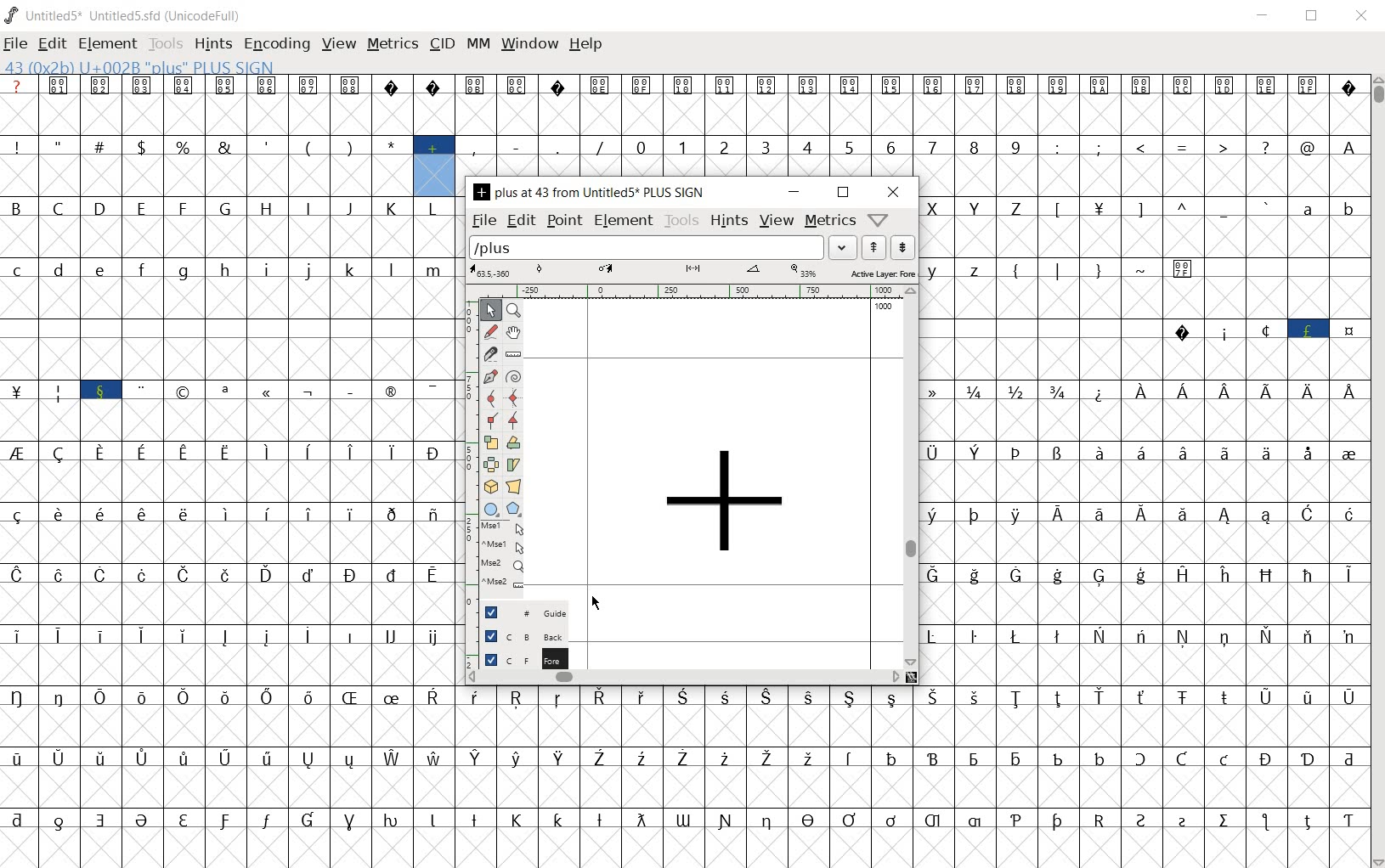  Describe the element at coordinates (514, 397) in the screenshot. I see `add a curve point always either horizontal or vertical` at that location.